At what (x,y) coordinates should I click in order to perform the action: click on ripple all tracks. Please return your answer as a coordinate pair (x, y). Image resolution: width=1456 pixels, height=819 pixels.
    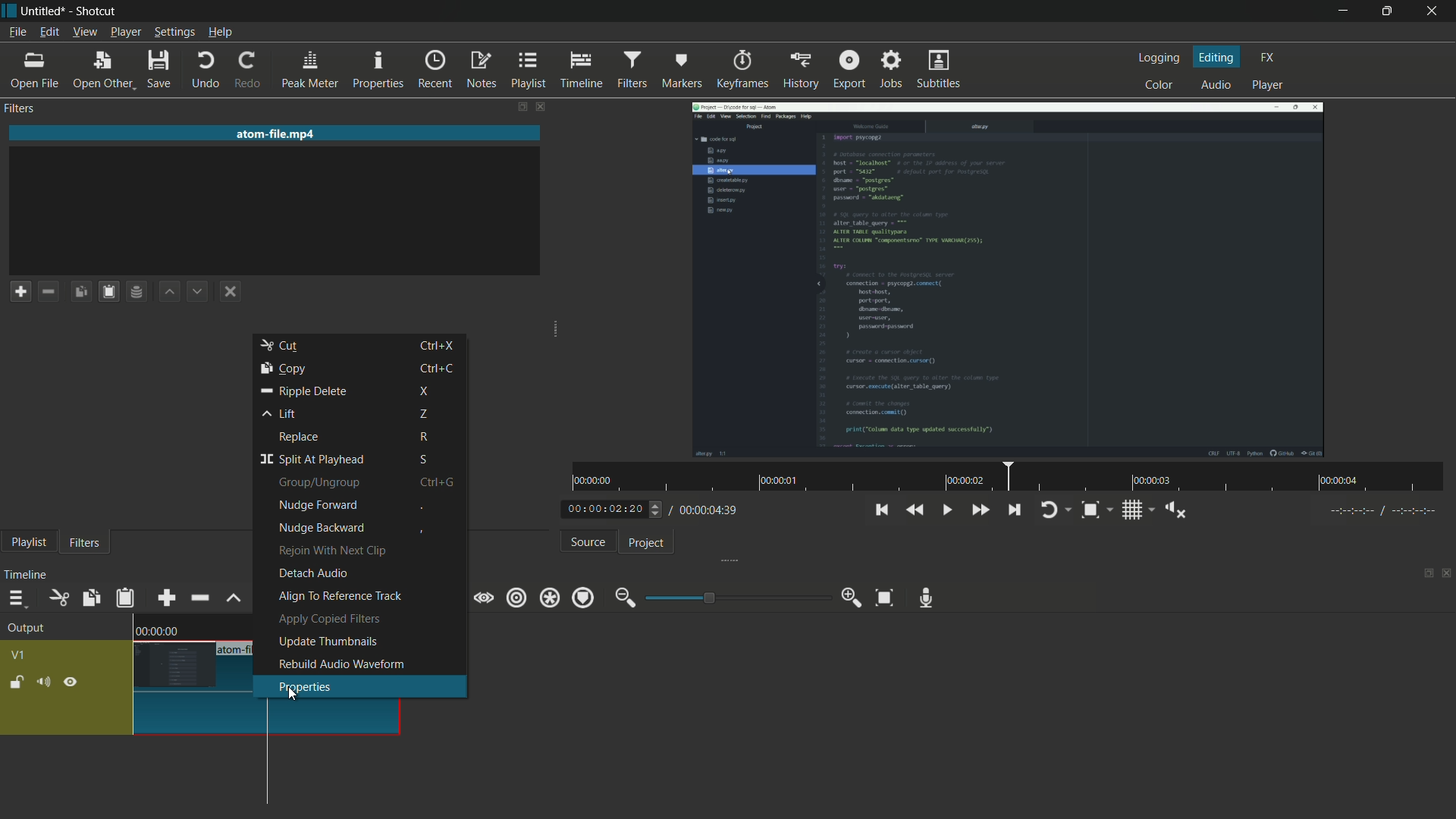
    Looking at the image, I should click on (549, 598).